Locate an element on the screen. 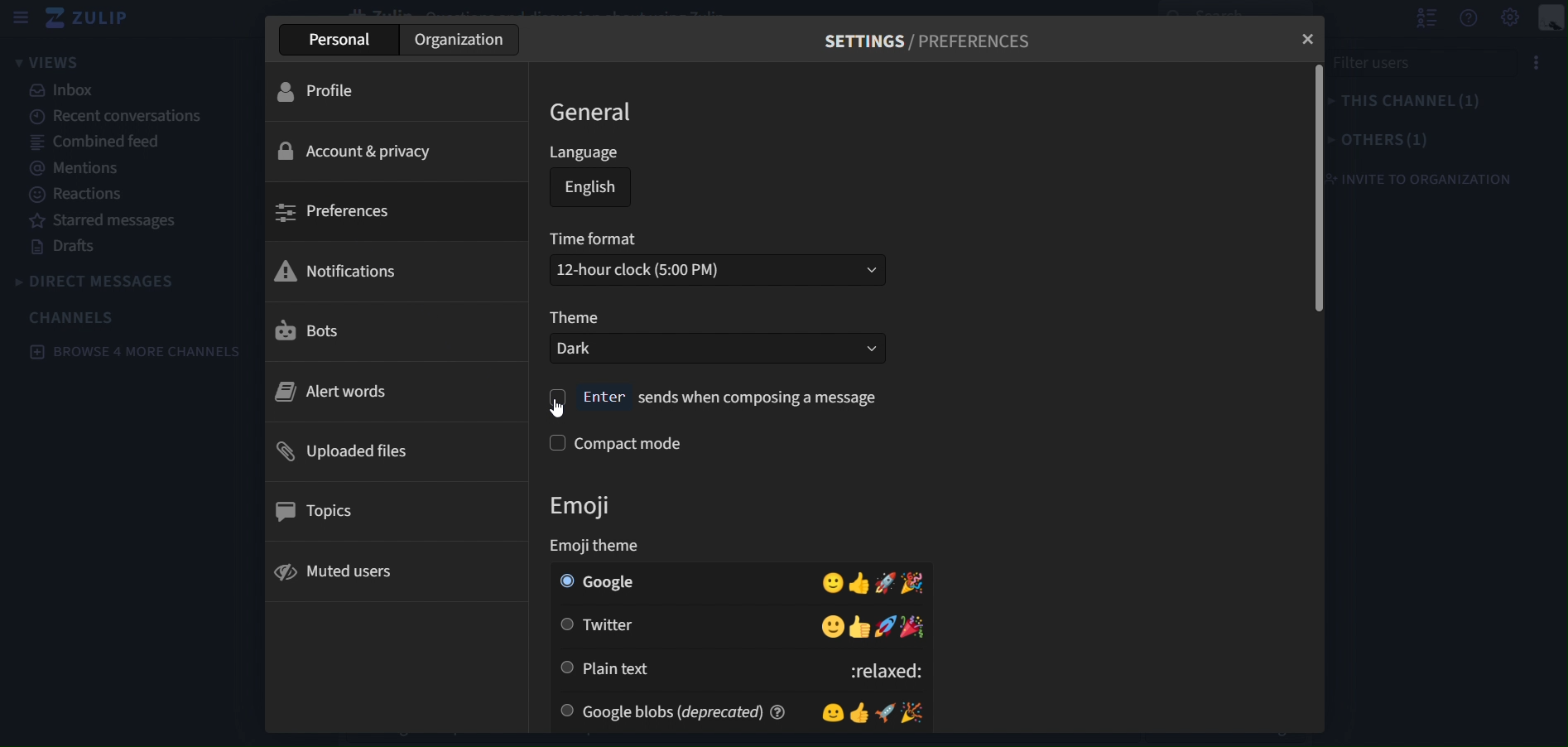  alert words is located at coordinates (381, 390).